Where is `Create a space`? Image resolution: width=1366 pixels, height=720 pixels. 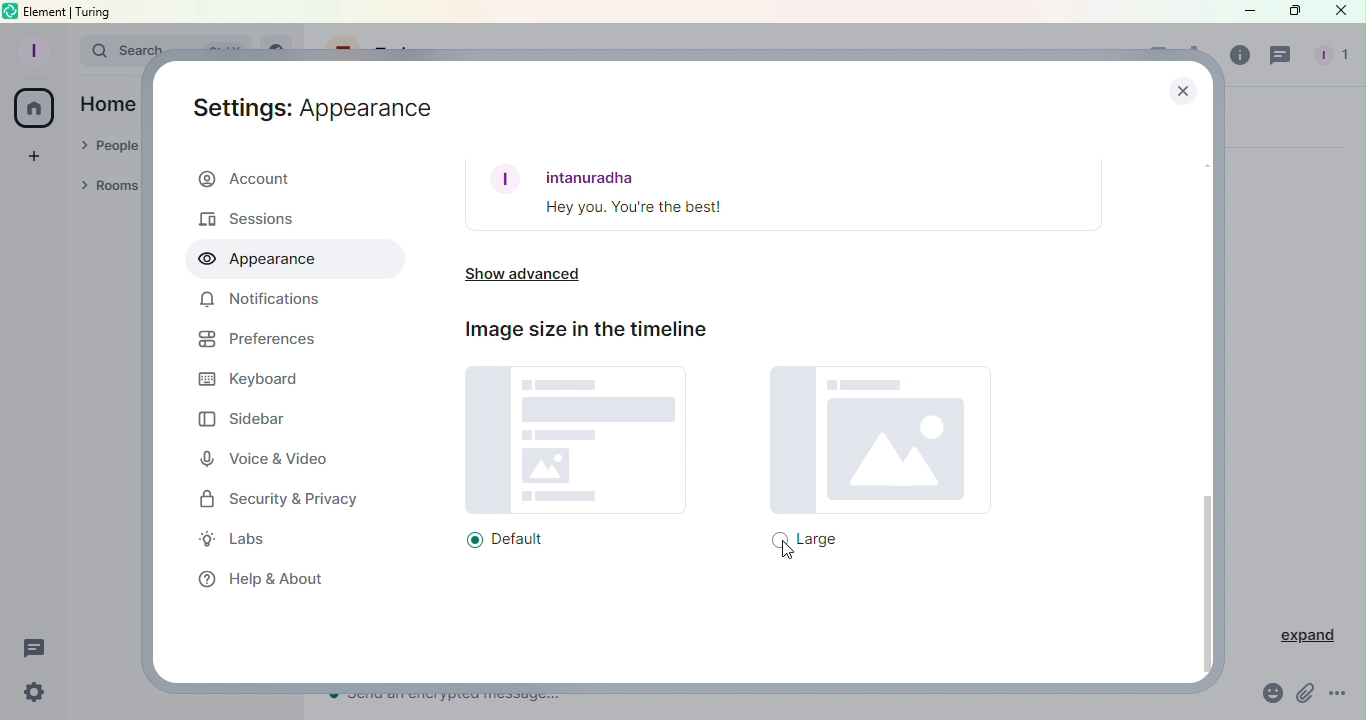 Create a space is located at coordinates (33, 154).